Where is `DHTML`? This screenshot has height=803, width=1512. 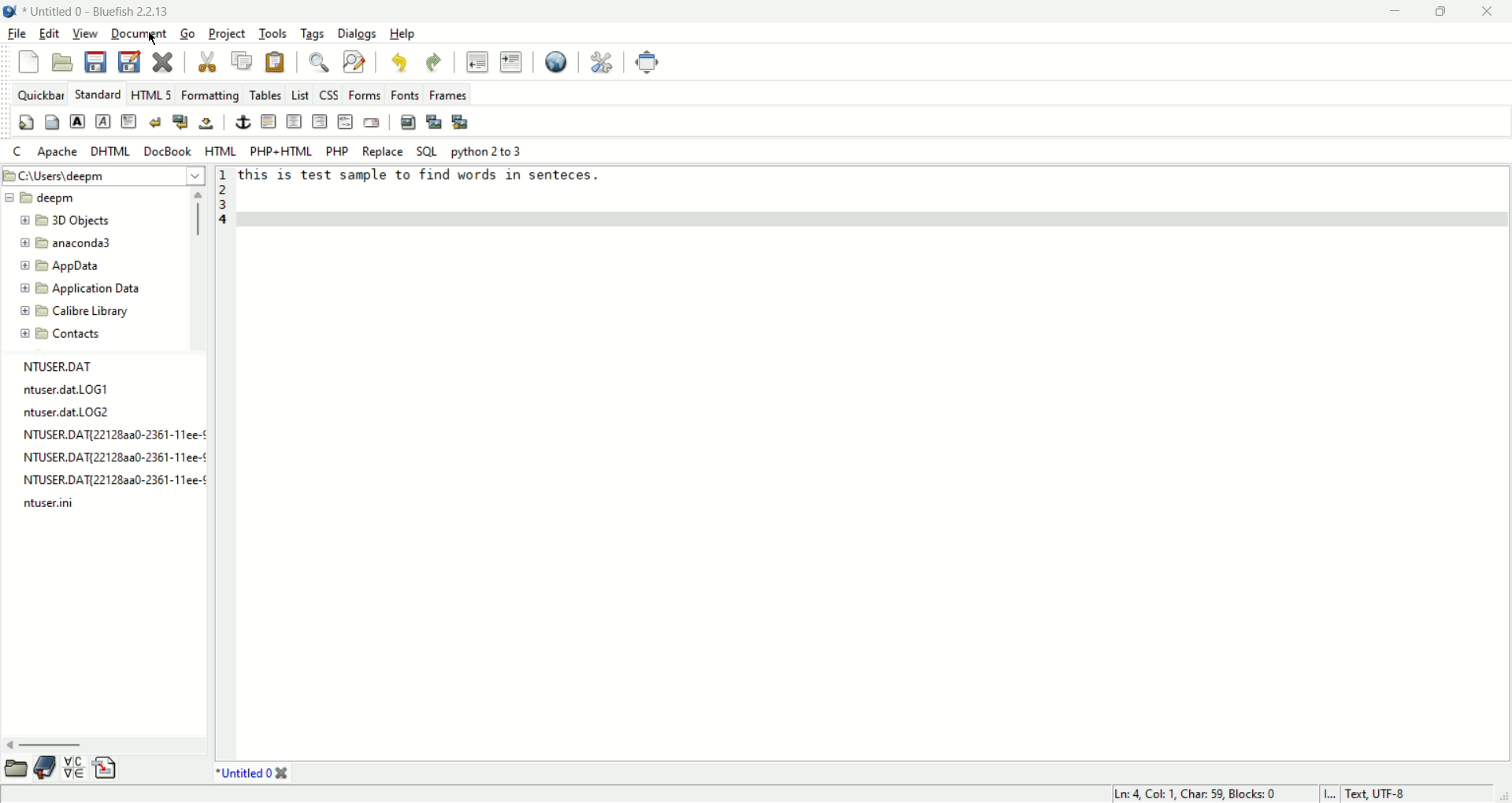
DHTML is located at coordinates (112, 152).